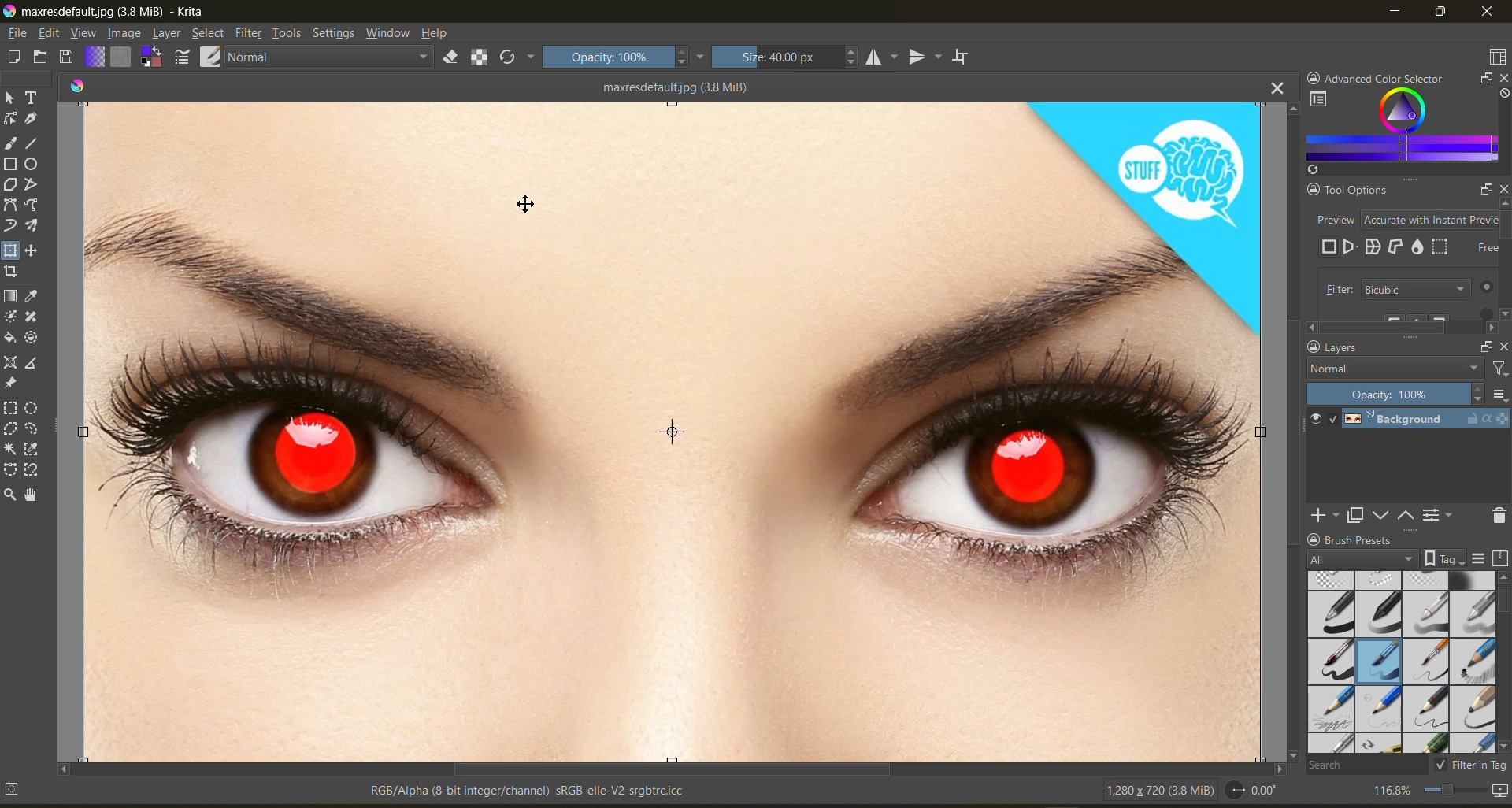 Image resolution: width=1512 pixels, height=808 pixels. I want to click on wrap, so click(1373, 246).